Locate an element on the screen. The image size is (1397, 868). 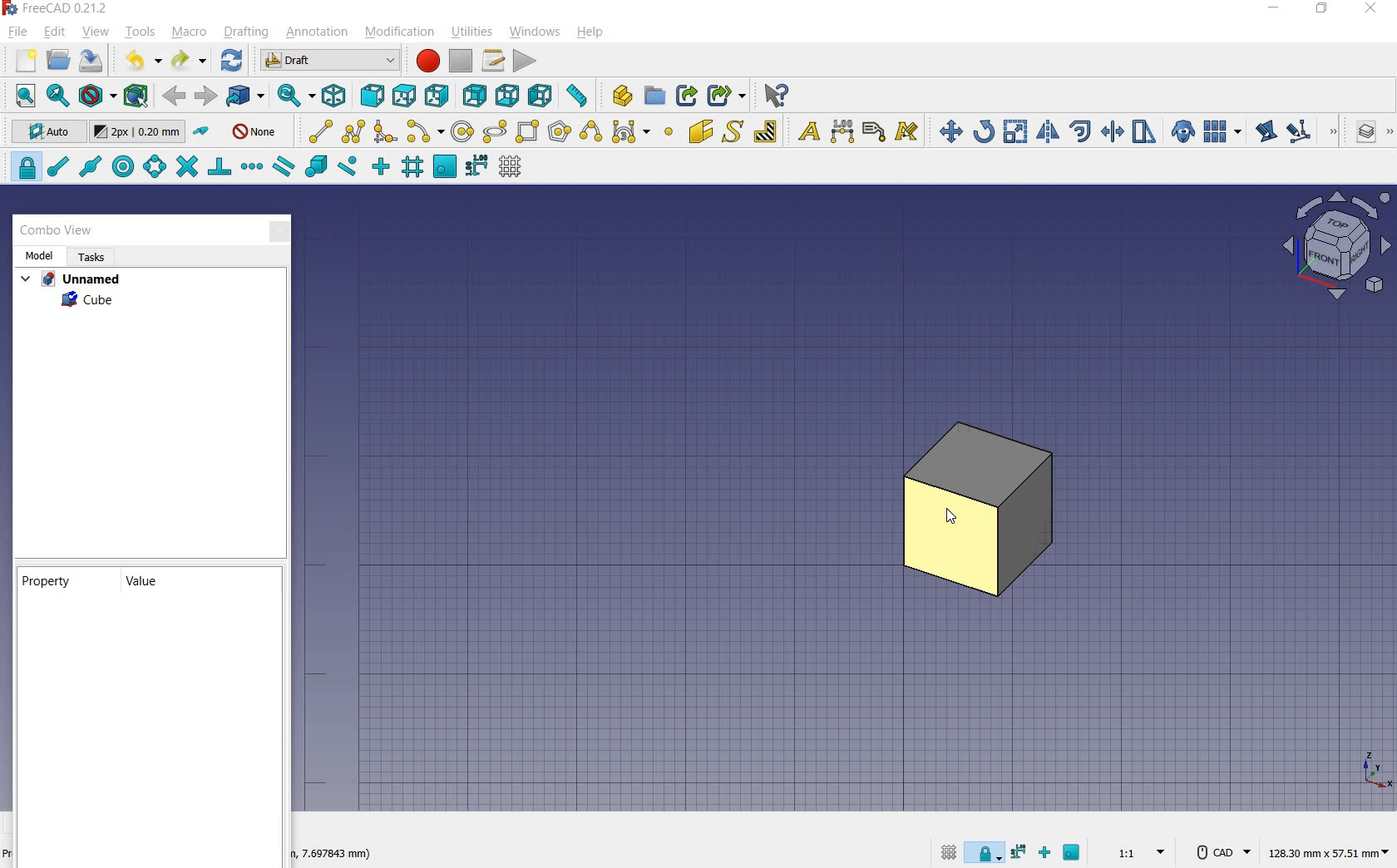
annotation styles is located at coordinates (908, 133).